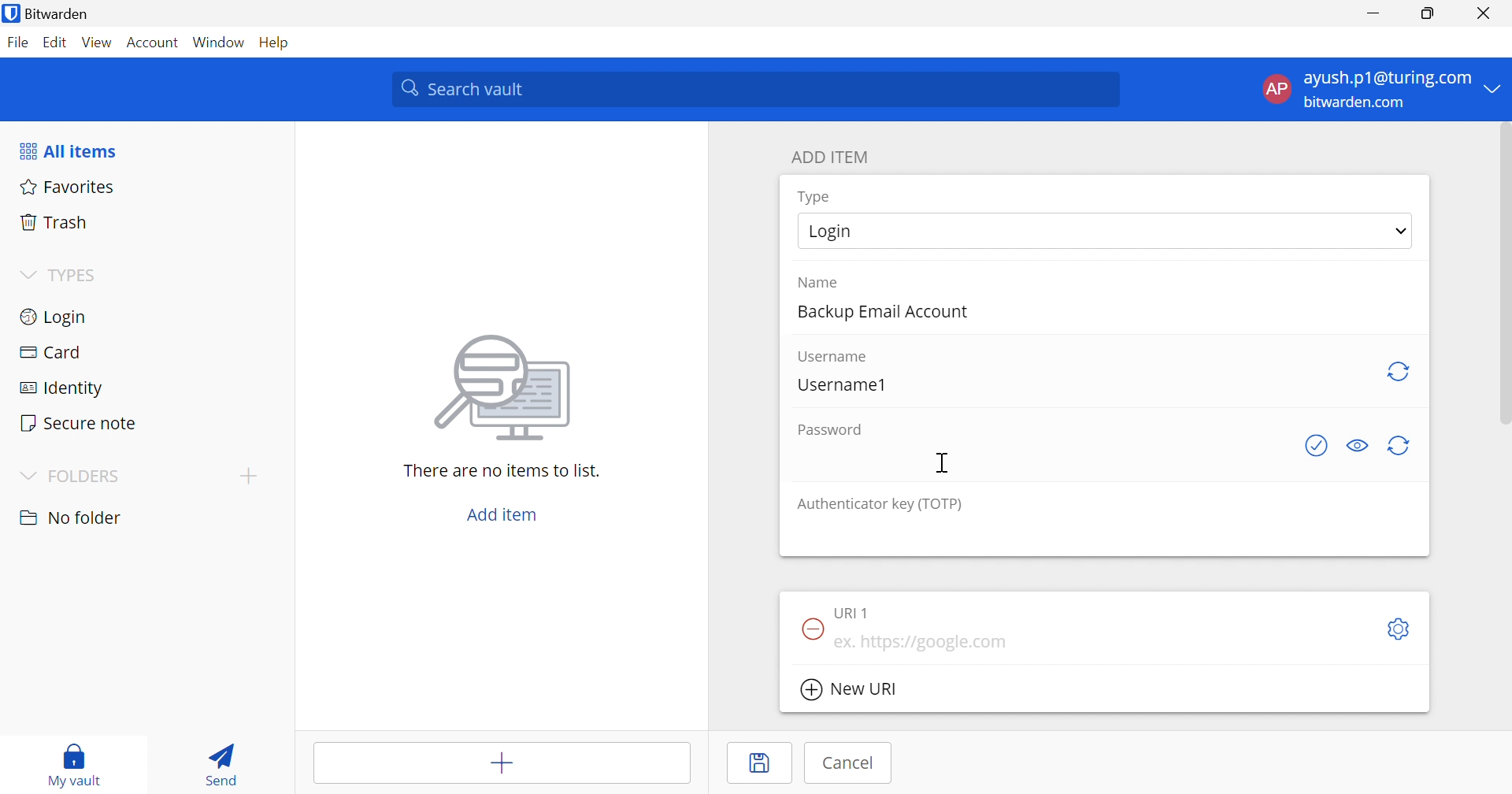  I want to click on Login, so click(829, 232).